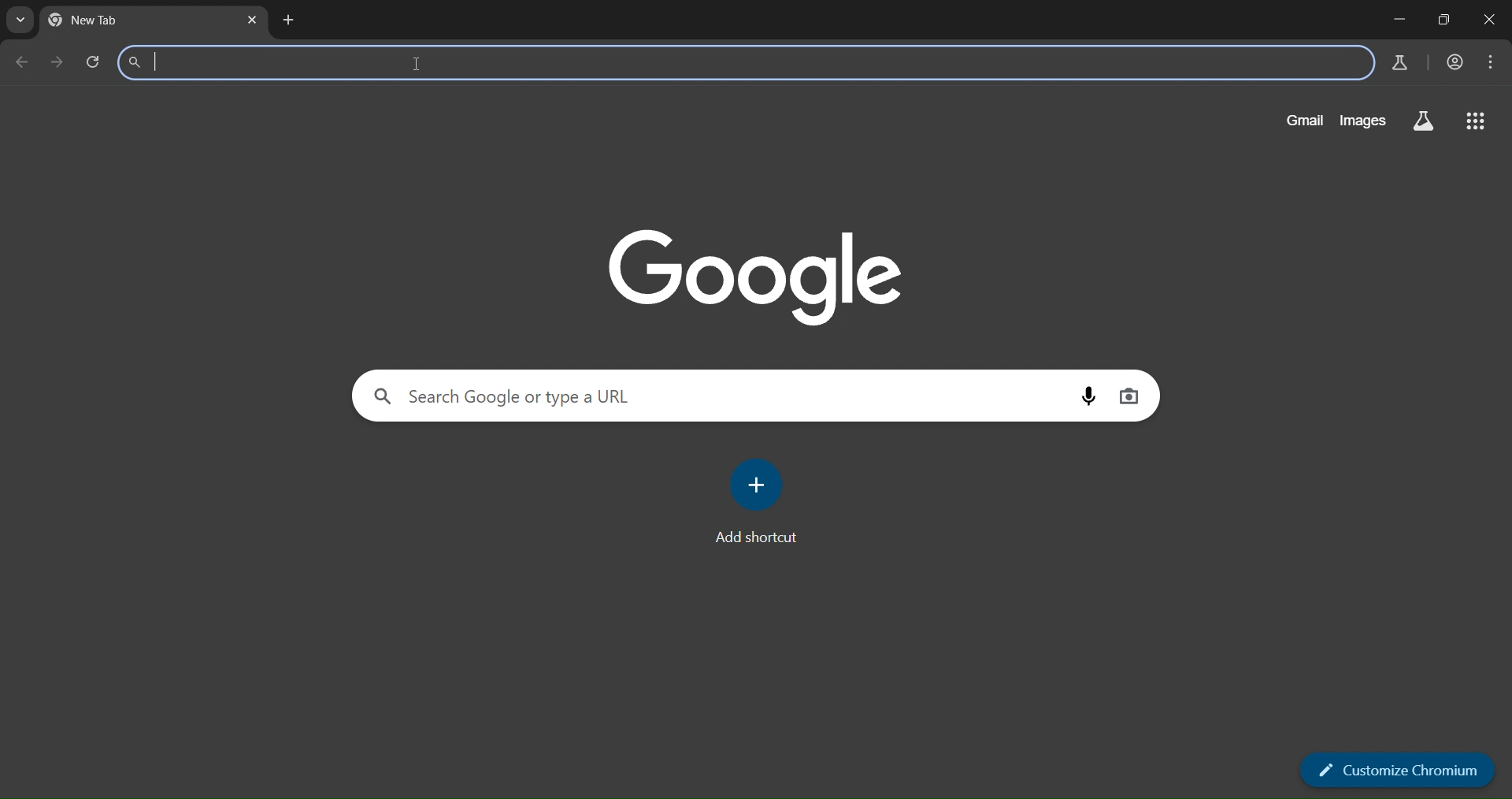 Image resolution: width=1512 pixels, height=799 pixels. What do you see at coordinates (762, 504) in the screenshot?
I see `add shortcut` at bounding box center [762, 504].